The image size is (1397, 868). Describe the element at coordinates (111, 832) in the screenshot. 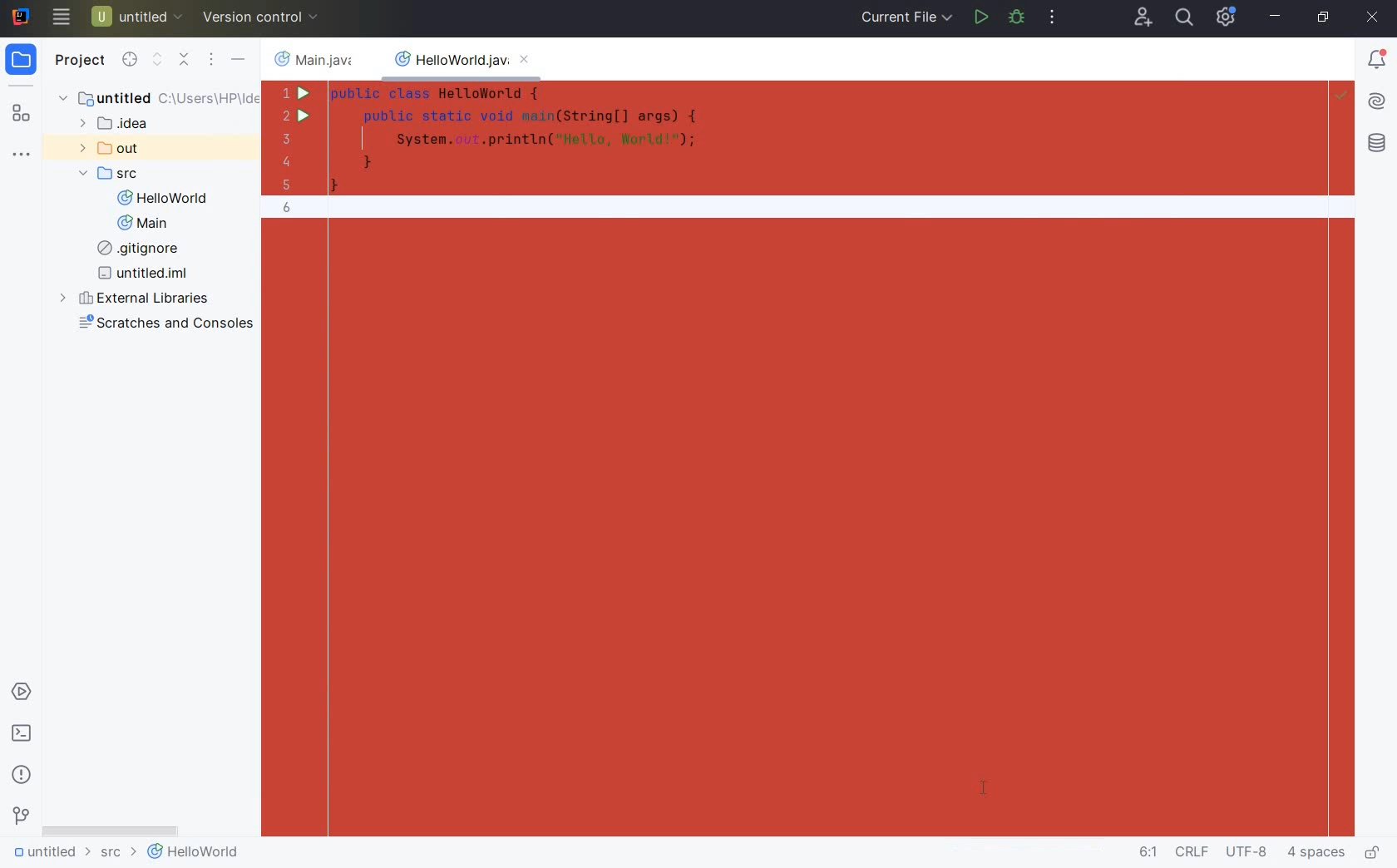

I see `scrollbar` at that location.